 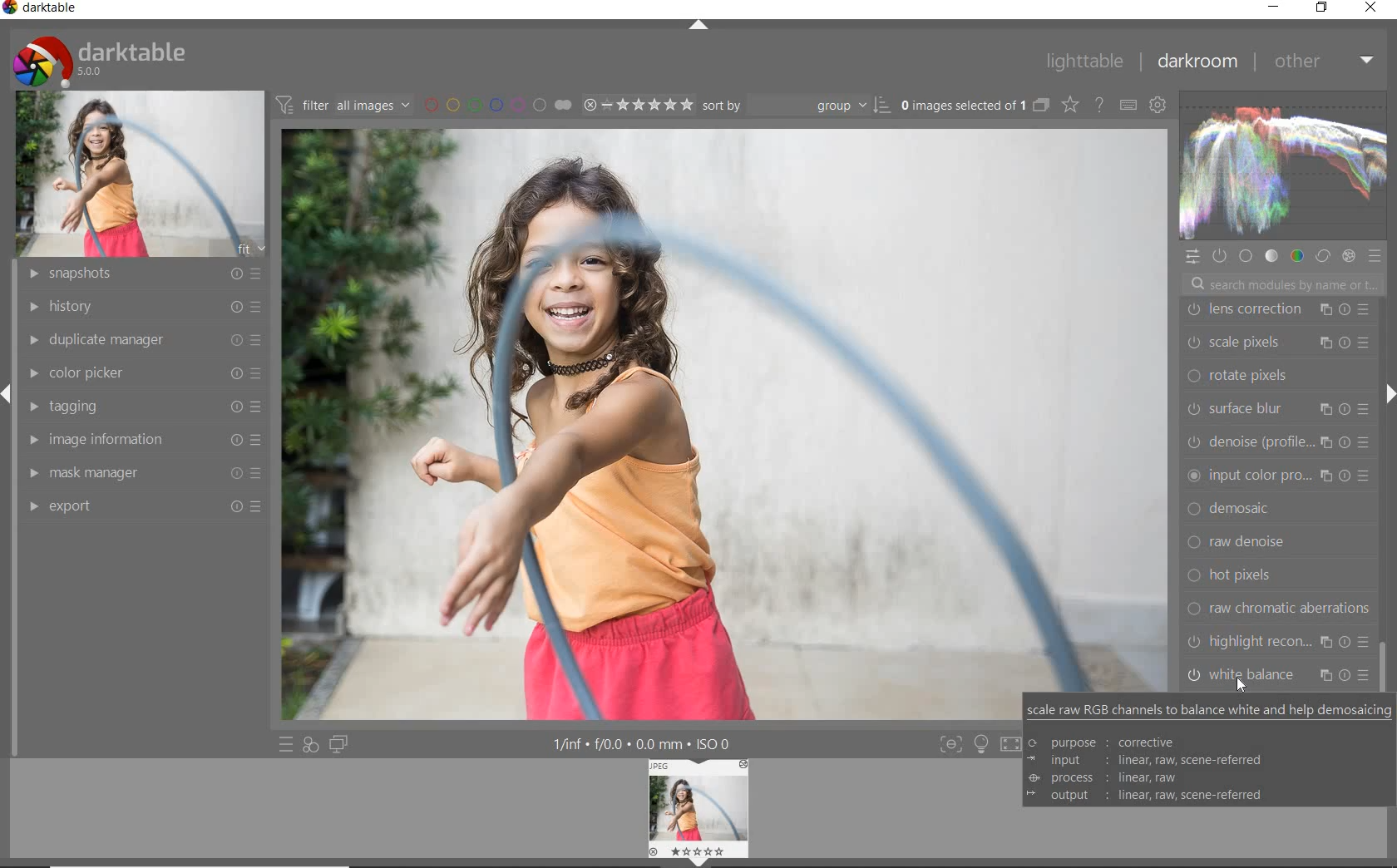 What do you see at coordinates (1247, 258) in the screenshot?
I see `base` at bounding box center [1247, 258].